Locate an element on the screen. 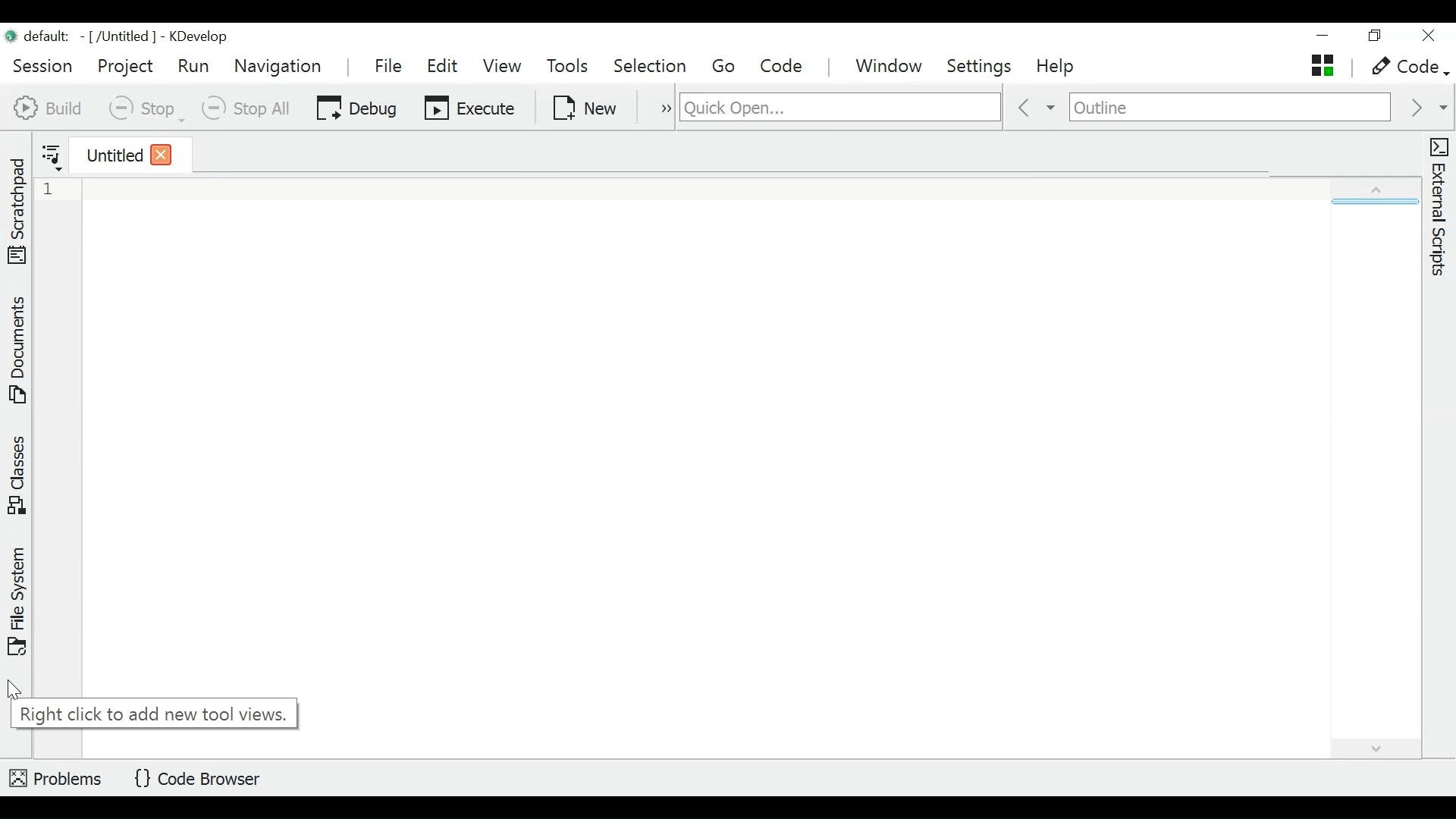  previous is located at coordinates (1034, 107).